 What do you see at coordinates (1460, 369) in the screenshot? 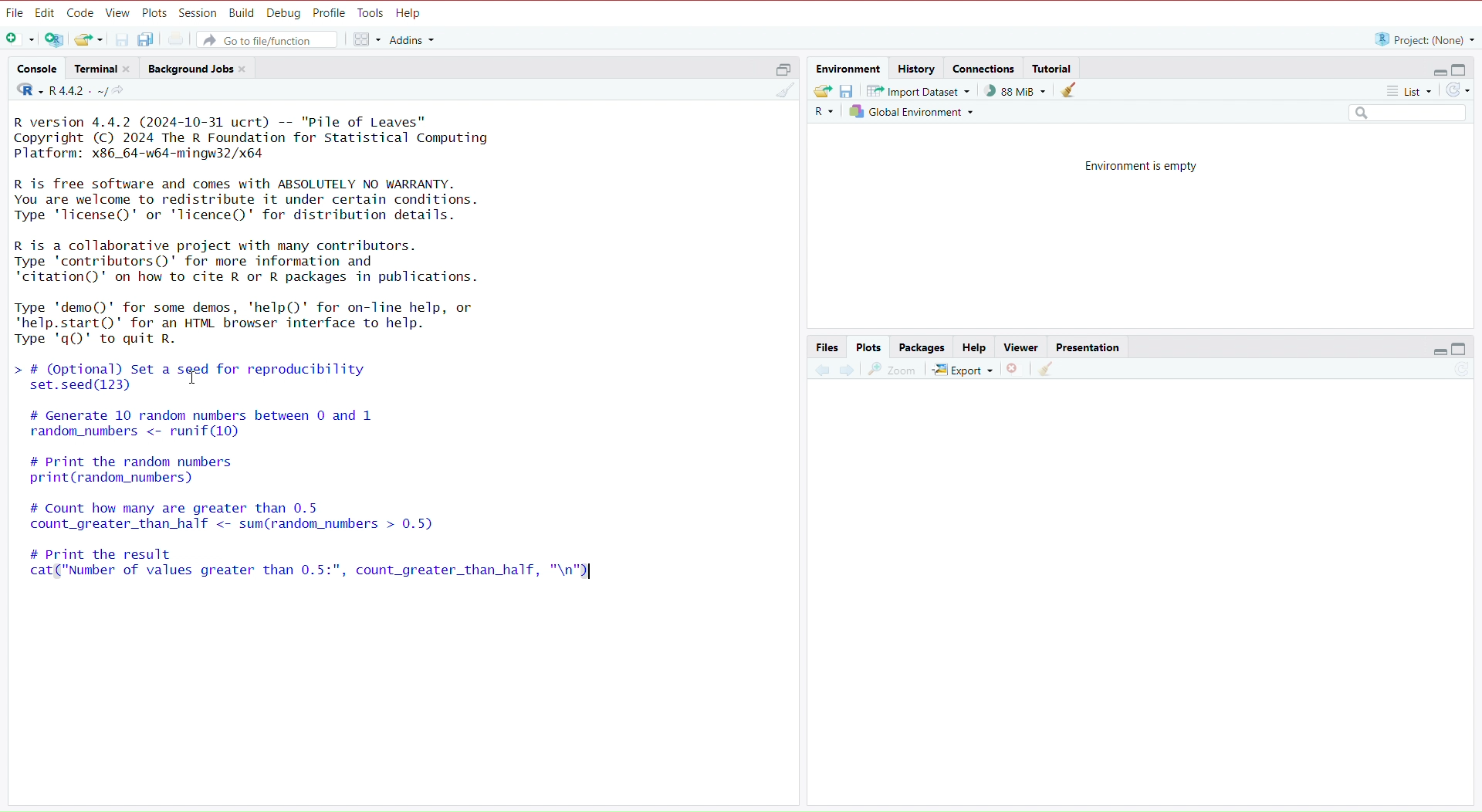
I see `Refresh list` at bounding box center [1460, 369].